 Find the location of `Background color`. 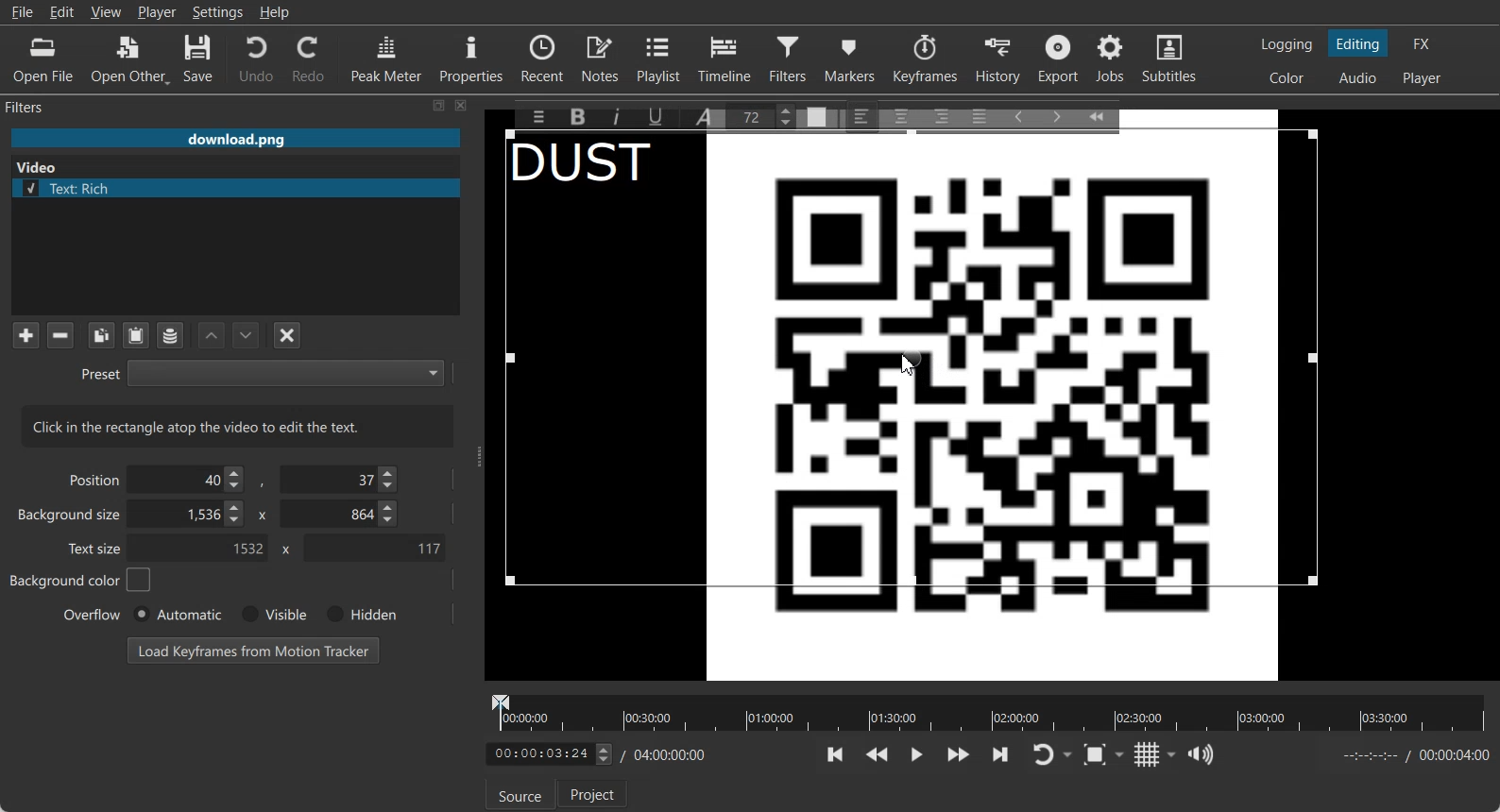

Background color is located at coordinates (79, 581).